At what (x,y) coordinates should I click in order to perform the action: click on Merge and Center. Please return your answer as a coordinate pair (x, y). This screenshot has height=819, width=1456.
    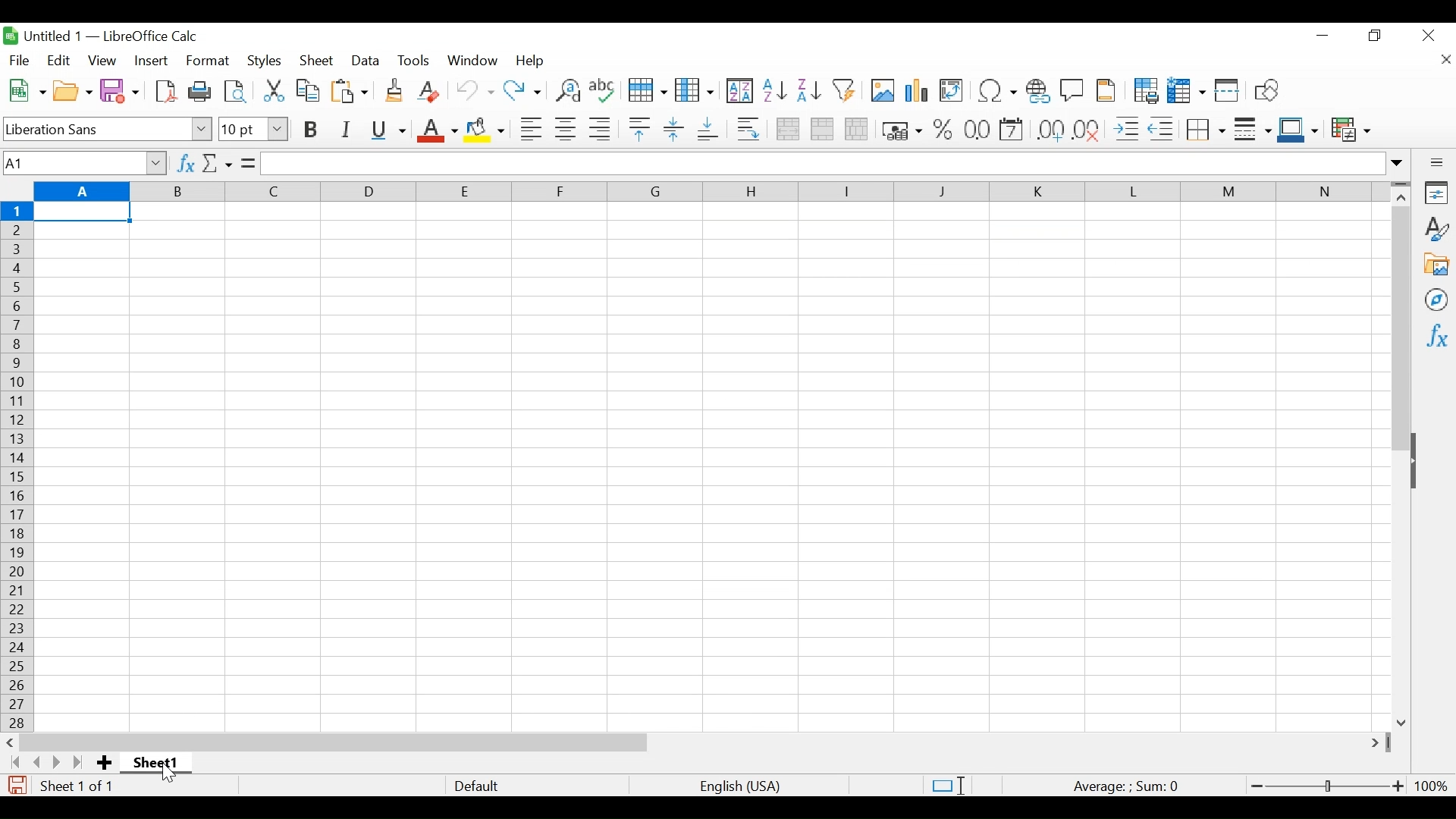
    Looking at the image, I should click on (786, 129).